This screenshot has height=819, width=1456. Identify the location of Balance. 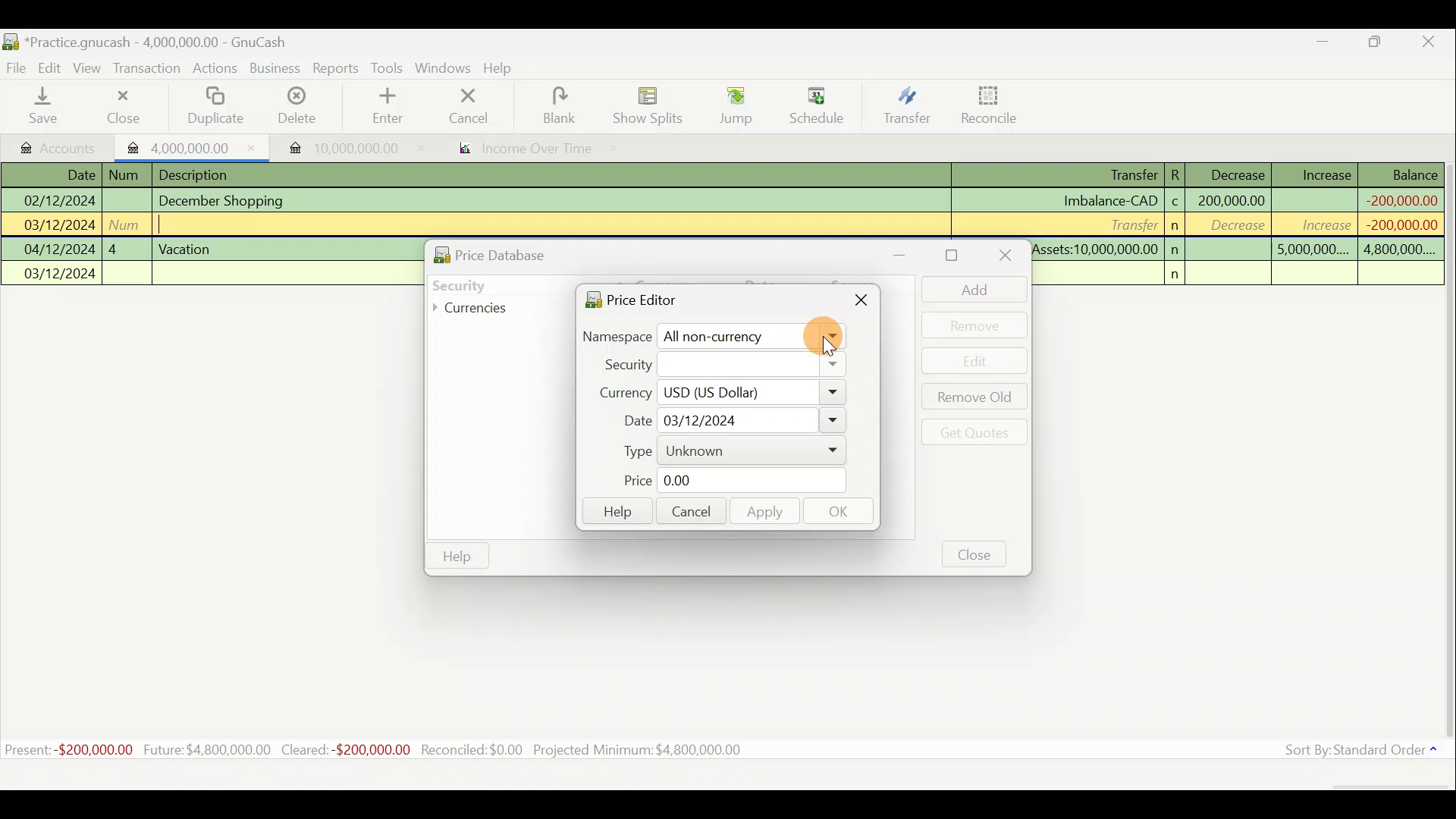
(1402, 174).